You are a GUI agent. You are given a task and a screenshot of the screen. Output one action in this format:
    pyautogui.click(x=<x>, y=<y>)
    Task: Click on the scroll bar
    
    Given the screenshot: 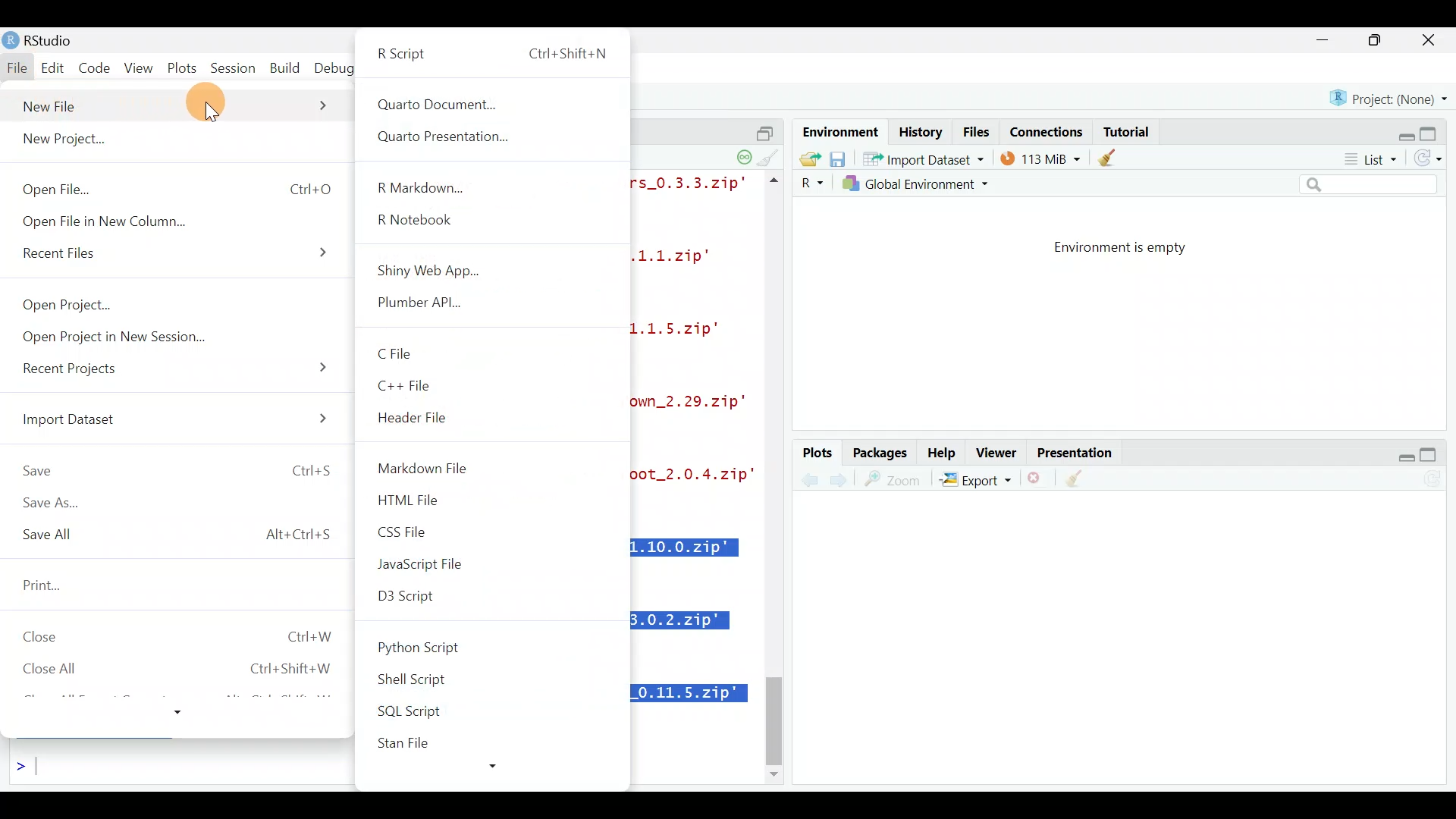 What is the action you would take?
    pyautogui.click(x=777, y=479)
    